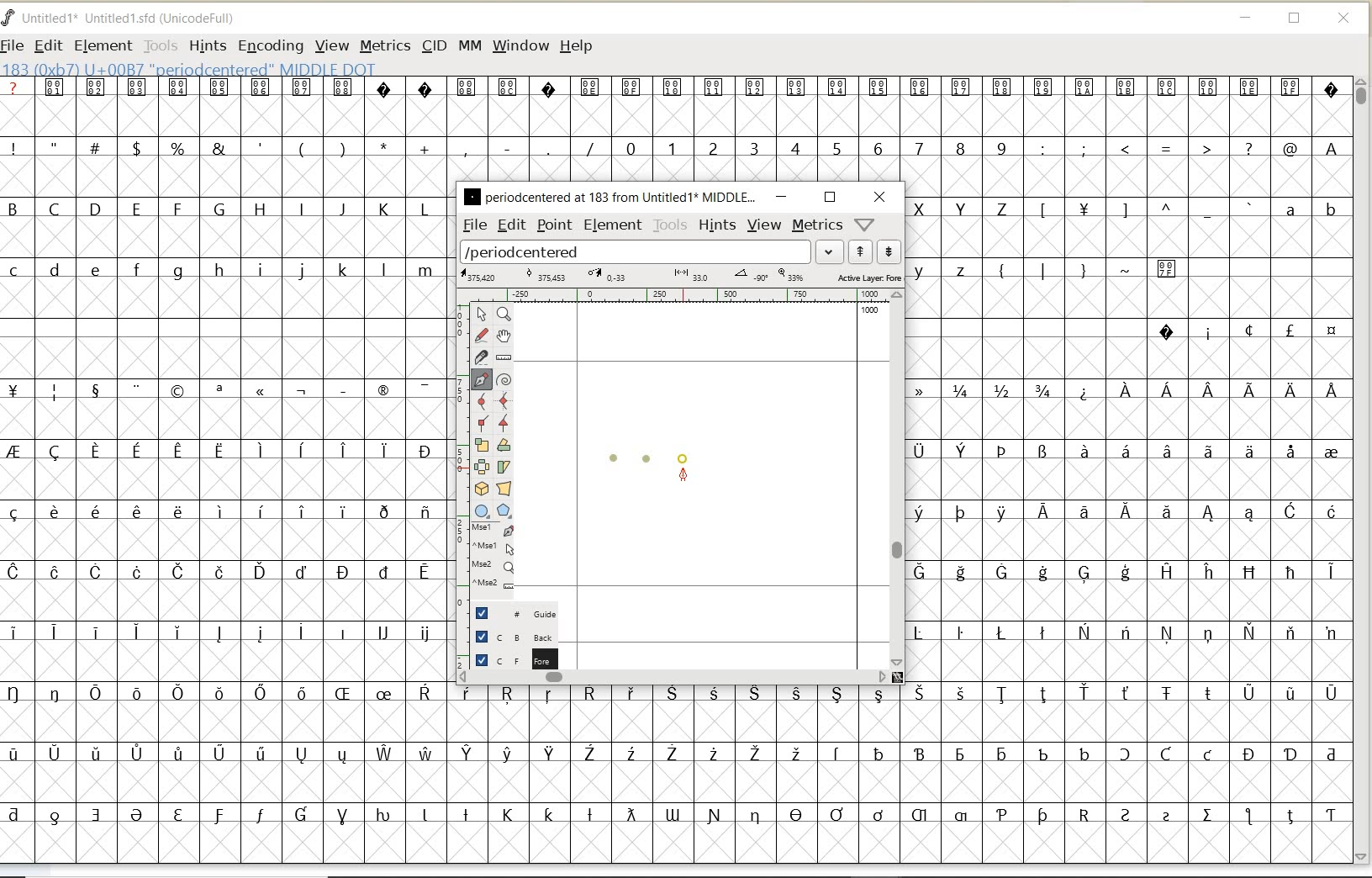 This screenshot has width=1372, height=878. I want to click on add a point, then drag out its control points, so click(482, 378).